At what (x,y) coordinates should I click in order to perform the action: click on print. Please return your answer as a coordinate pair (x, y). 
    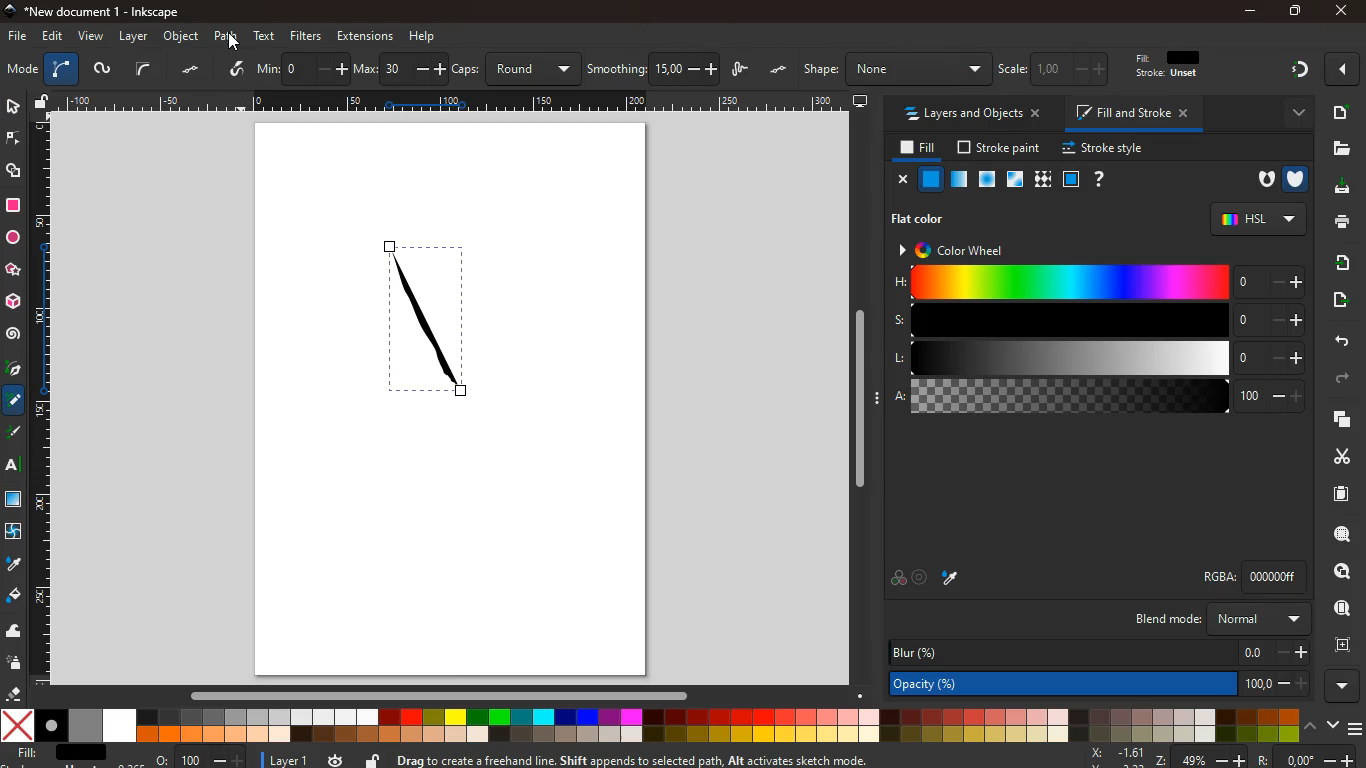
    Looking at the image, I should click on (1338, 221).